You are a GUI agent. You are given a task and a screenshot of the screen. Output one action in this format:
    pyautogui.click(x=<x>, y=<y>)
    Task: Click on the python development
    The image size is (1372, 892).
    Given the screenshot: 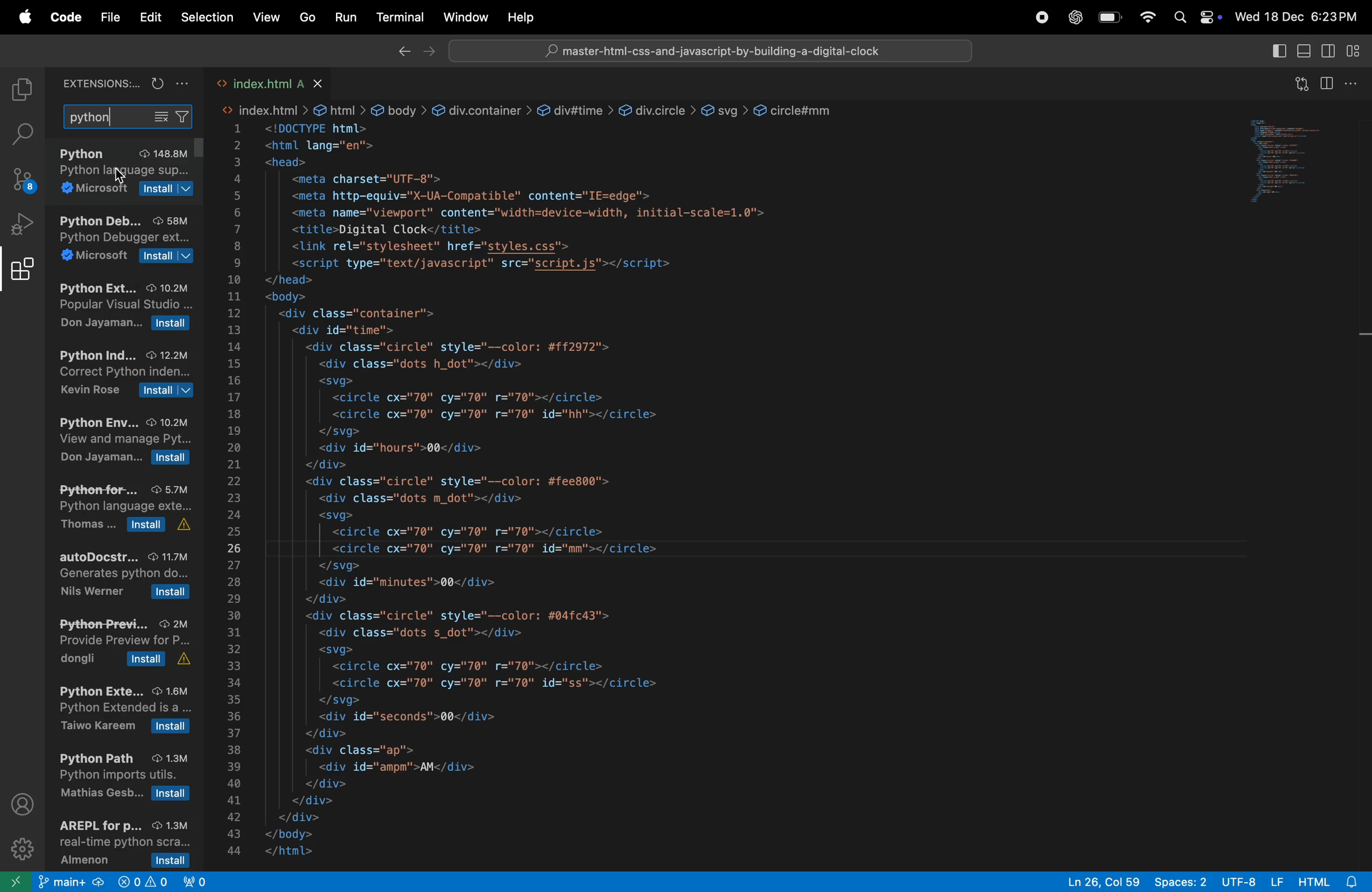 What is the action you would take?
    pyautogui.click(x=126, y=241)
    